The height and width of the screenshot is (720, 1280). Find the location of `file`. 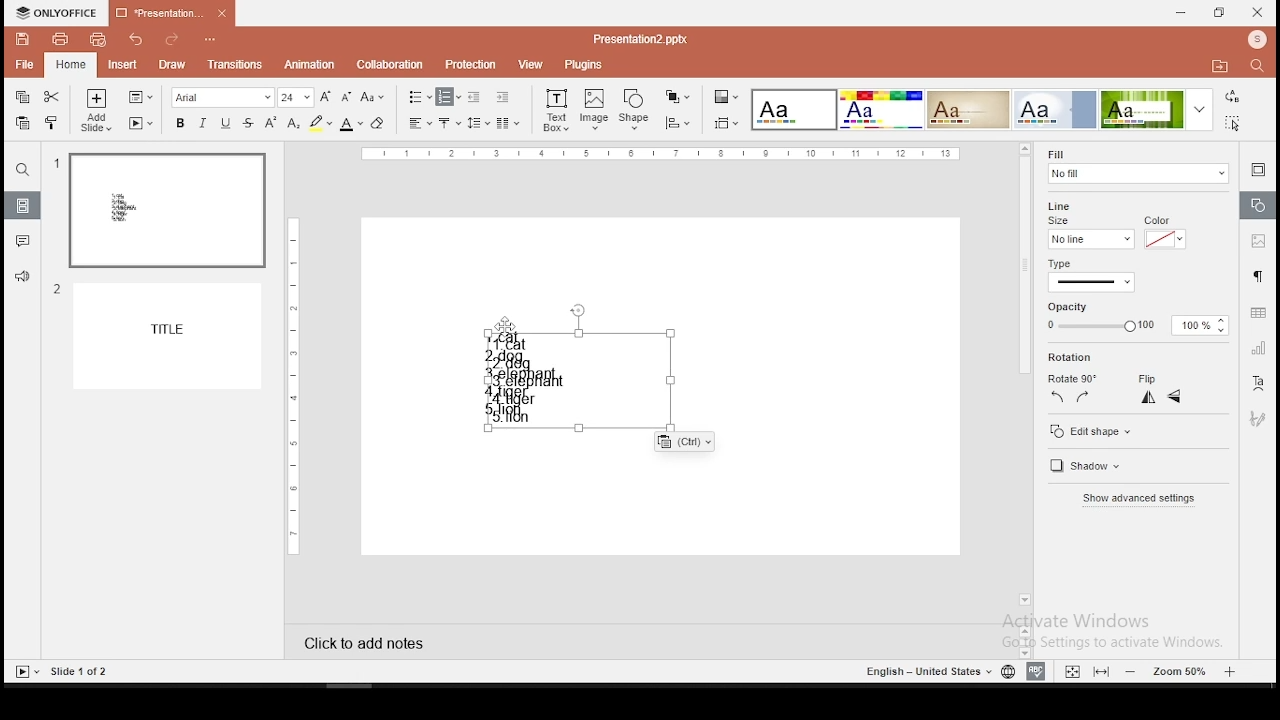

file is located at coordinates (24, 66).